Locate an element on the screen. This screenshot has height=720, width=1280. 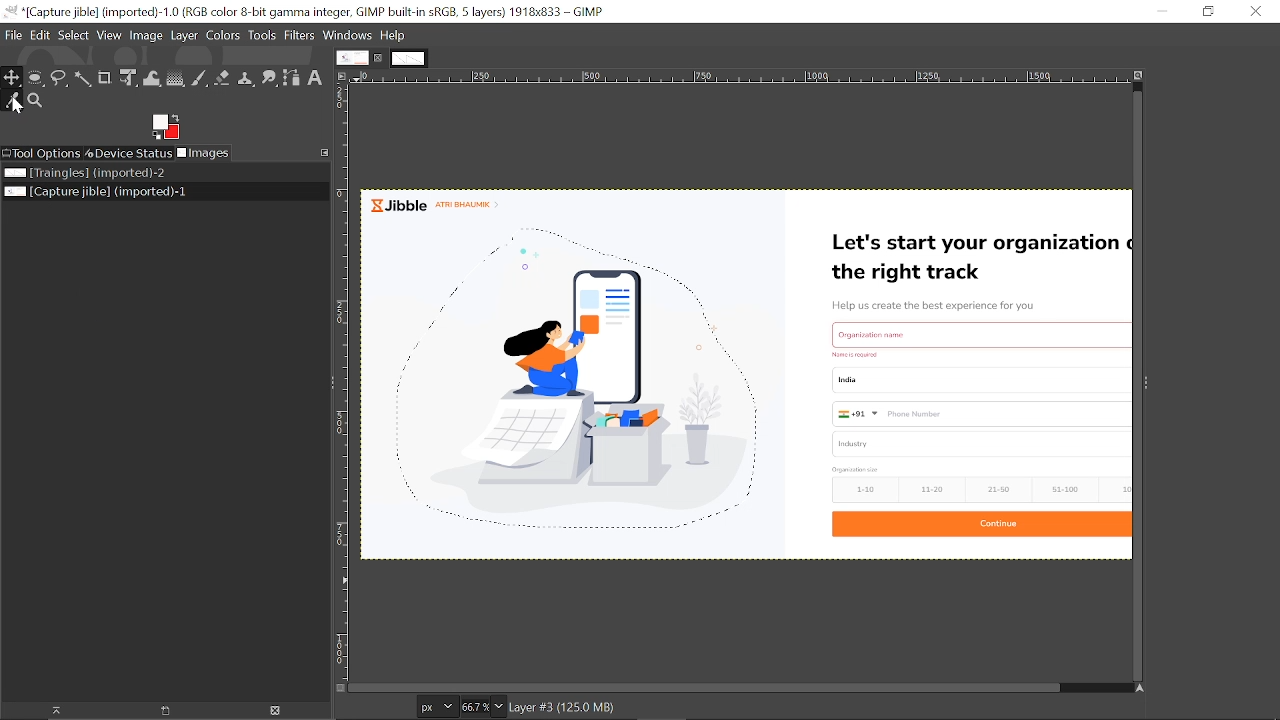
Paintbrush tool is located at coordinates (200, 79).